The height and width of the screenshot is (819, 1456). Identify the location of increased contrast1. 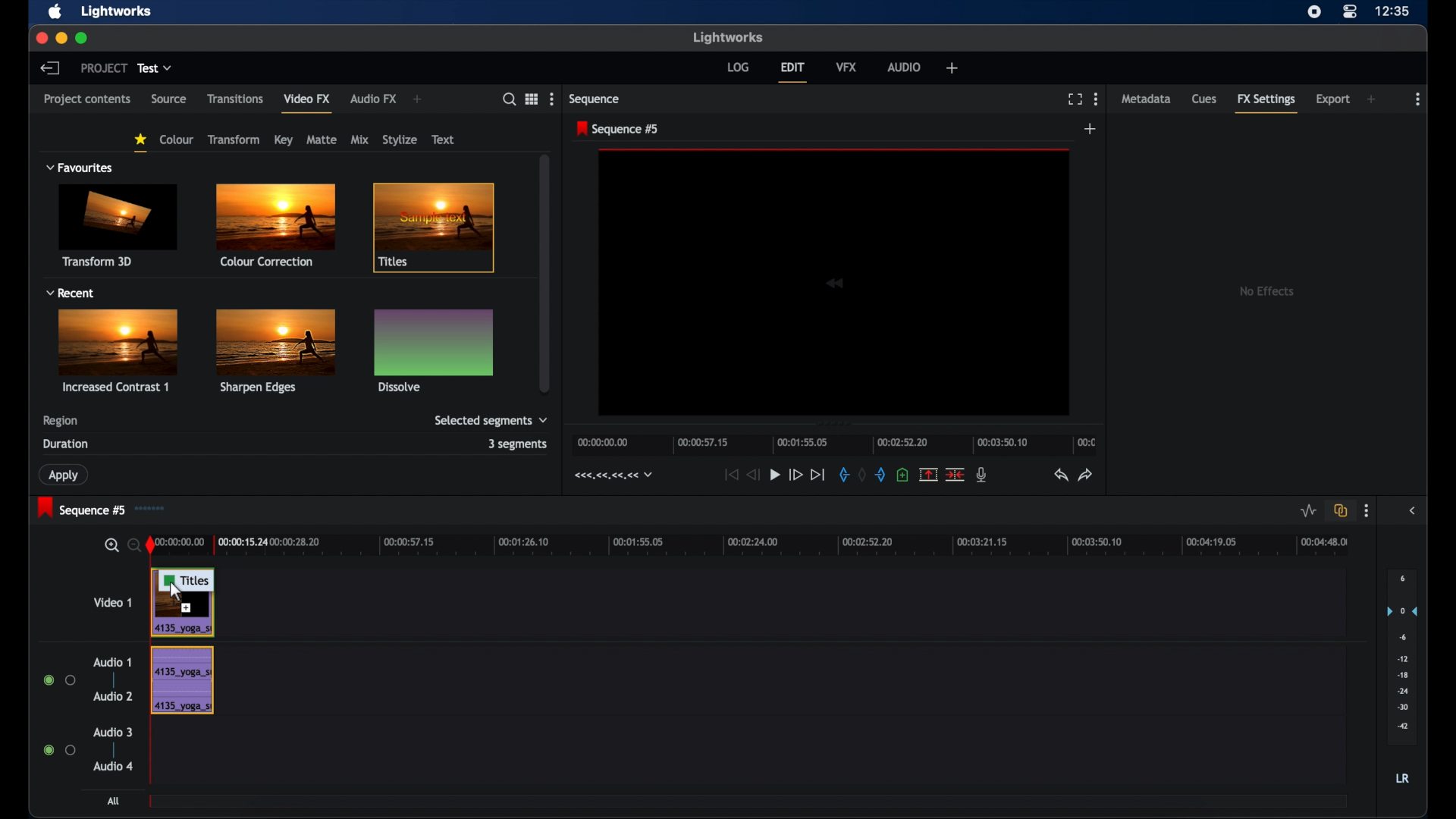
(121, 350).